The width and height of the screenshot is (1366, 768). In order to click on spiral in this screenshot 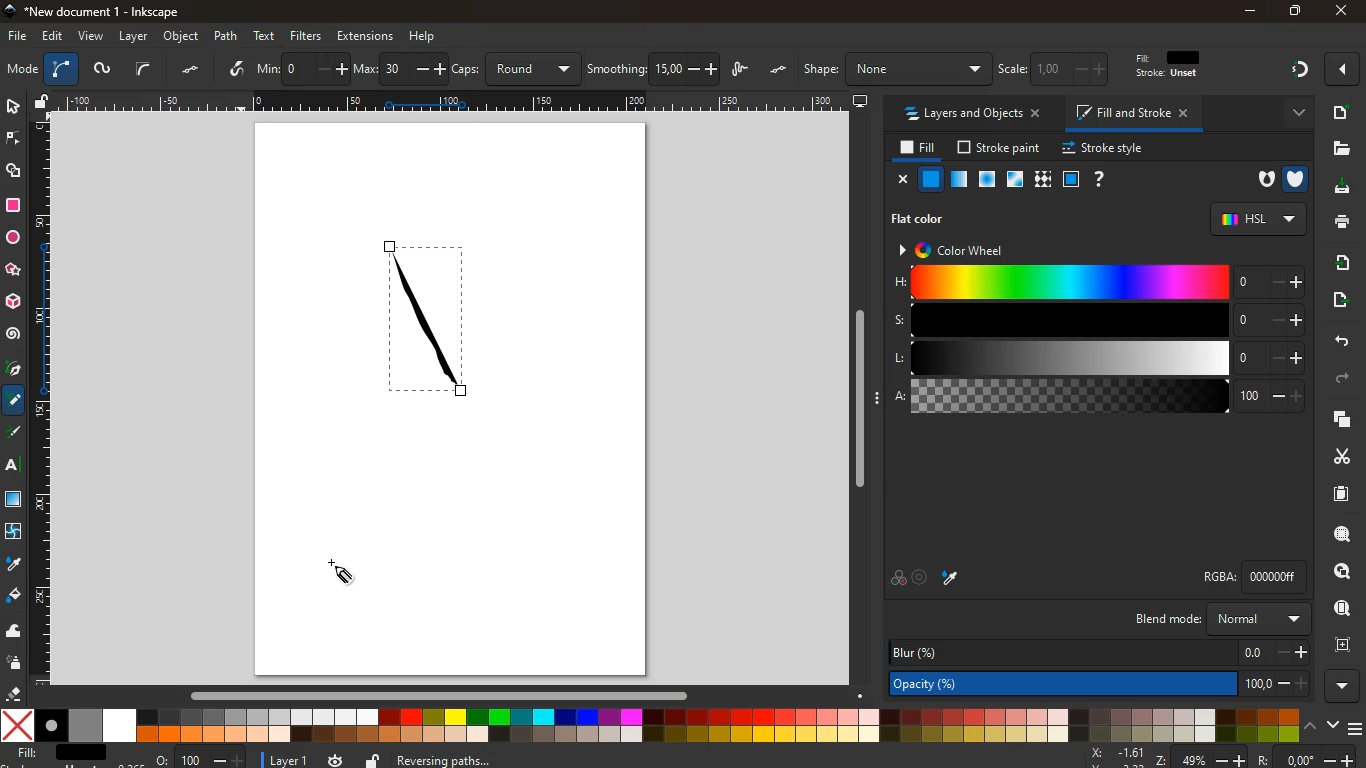, I will do `click(13, 334)`.